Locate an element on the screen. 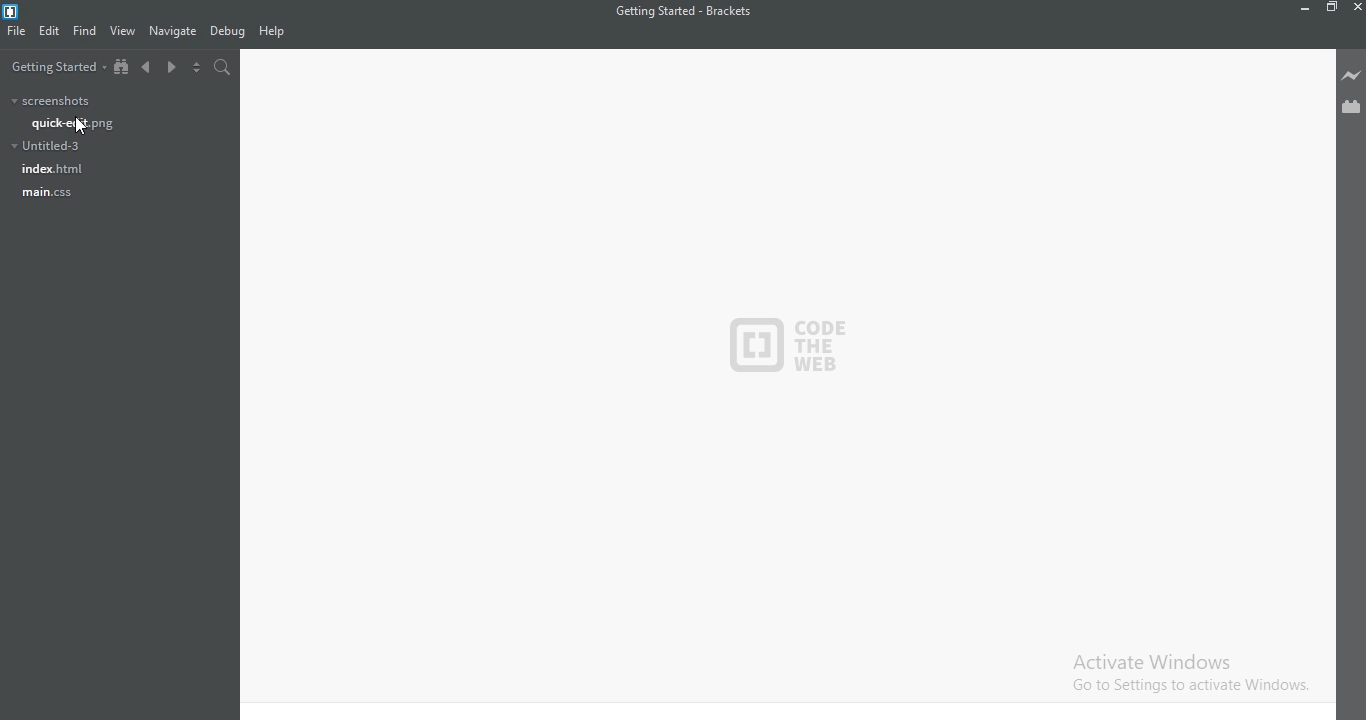 This screenshot has width=1366, height=720. screenshots is located at coordinates (60, 99).